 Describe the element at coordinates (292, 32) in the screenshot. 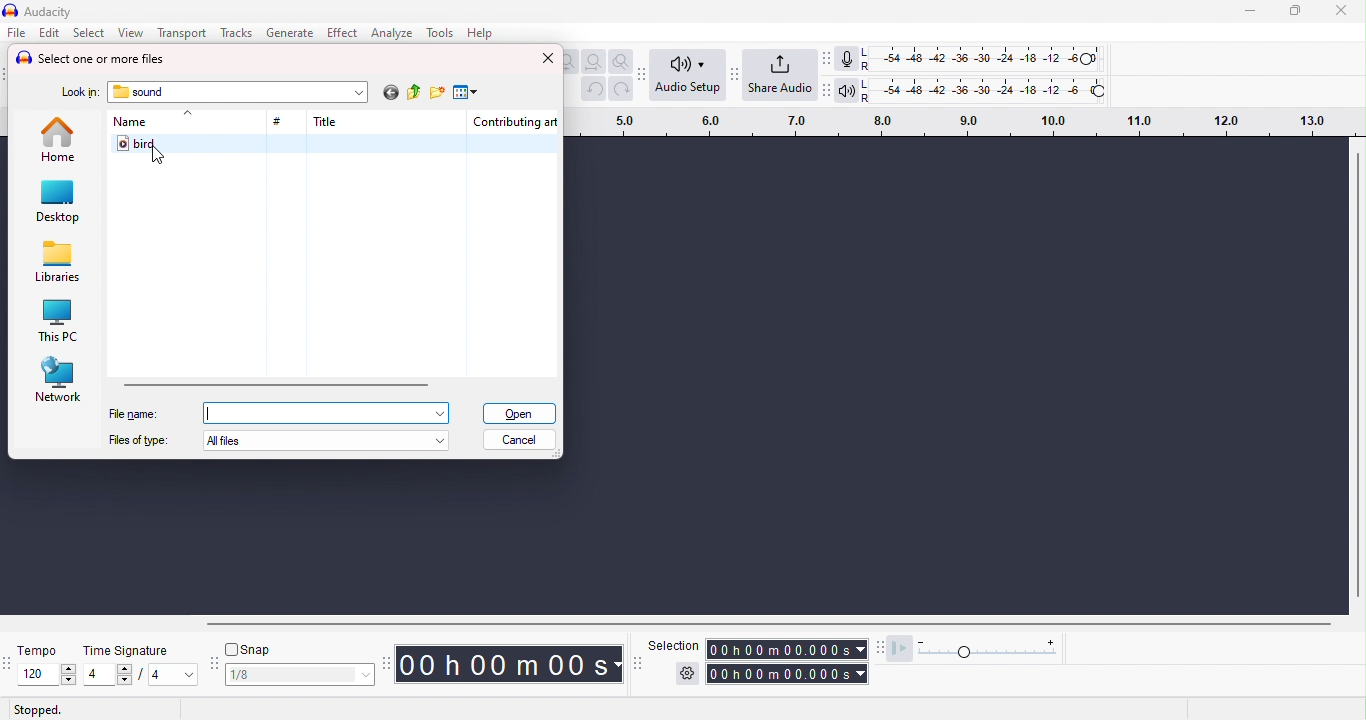

I see `generate` at that location.